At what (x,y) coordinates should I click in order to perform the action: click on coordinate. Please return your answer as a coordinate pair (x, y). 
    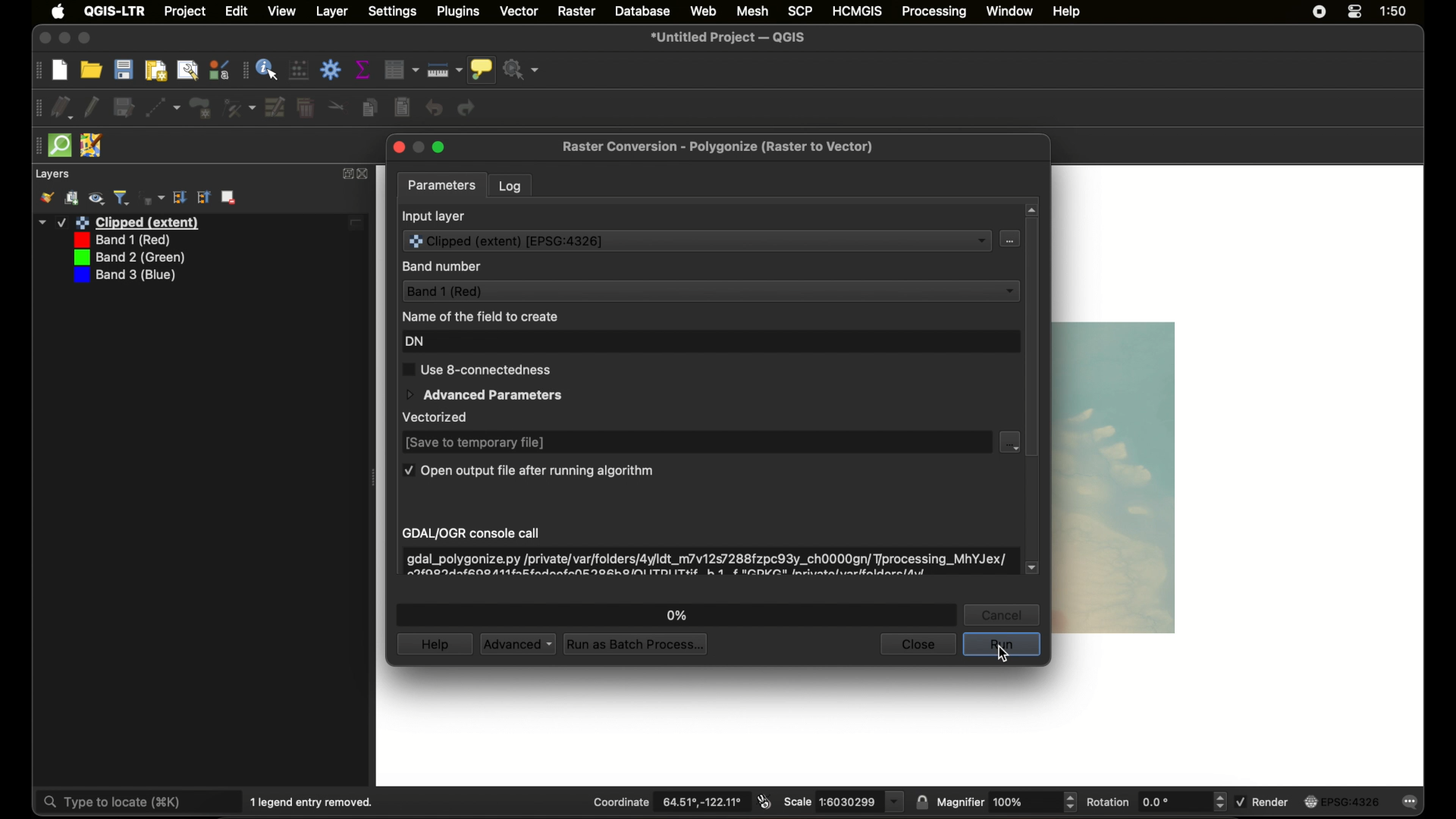
    Looking at the image, I should click on (669, 802).